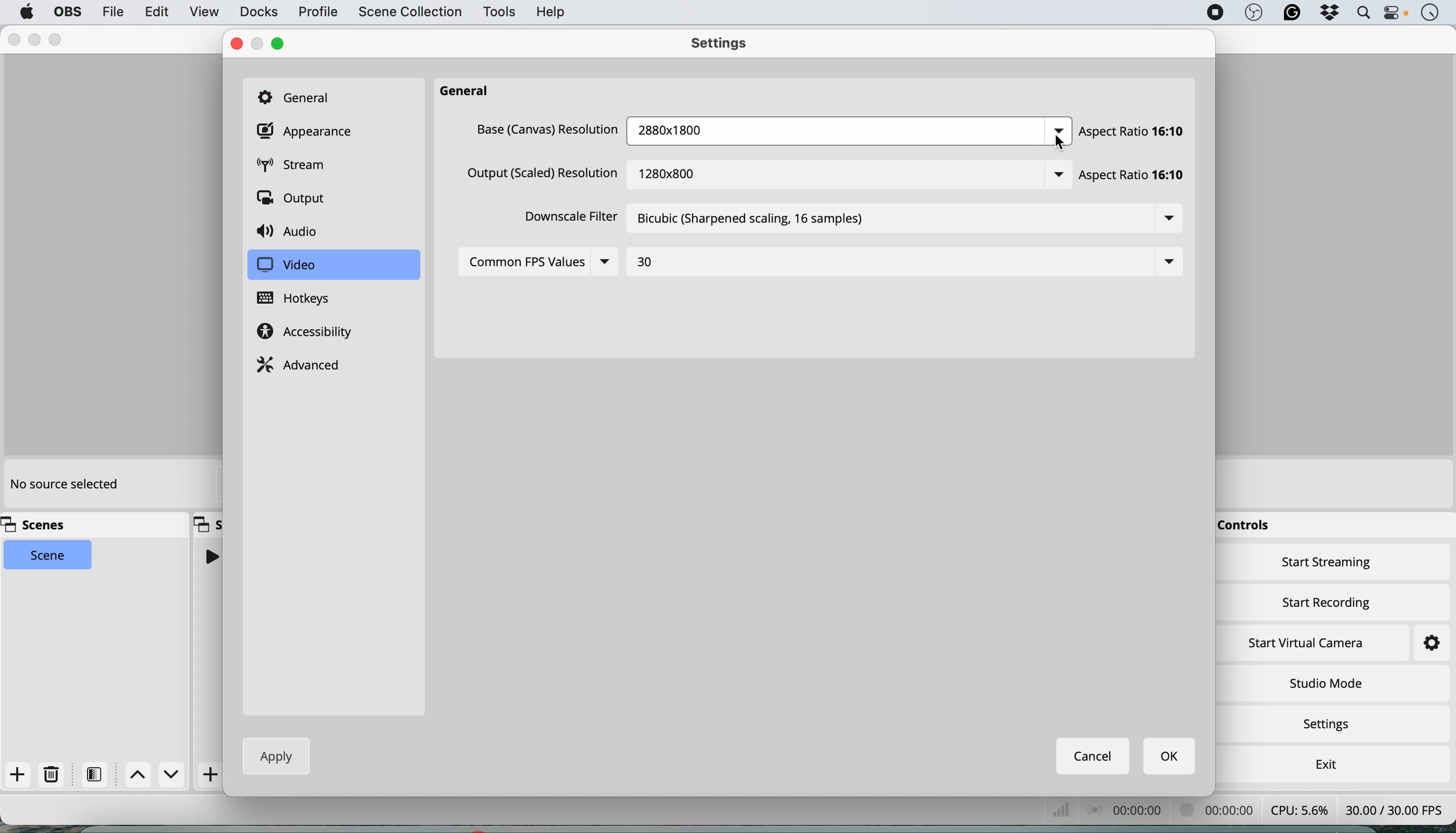 Image resolution: width=1456 pixels, height=833 pixels. Describe the element at coordinates (1056, 176) in the screenshot. I see `lists` at that location.